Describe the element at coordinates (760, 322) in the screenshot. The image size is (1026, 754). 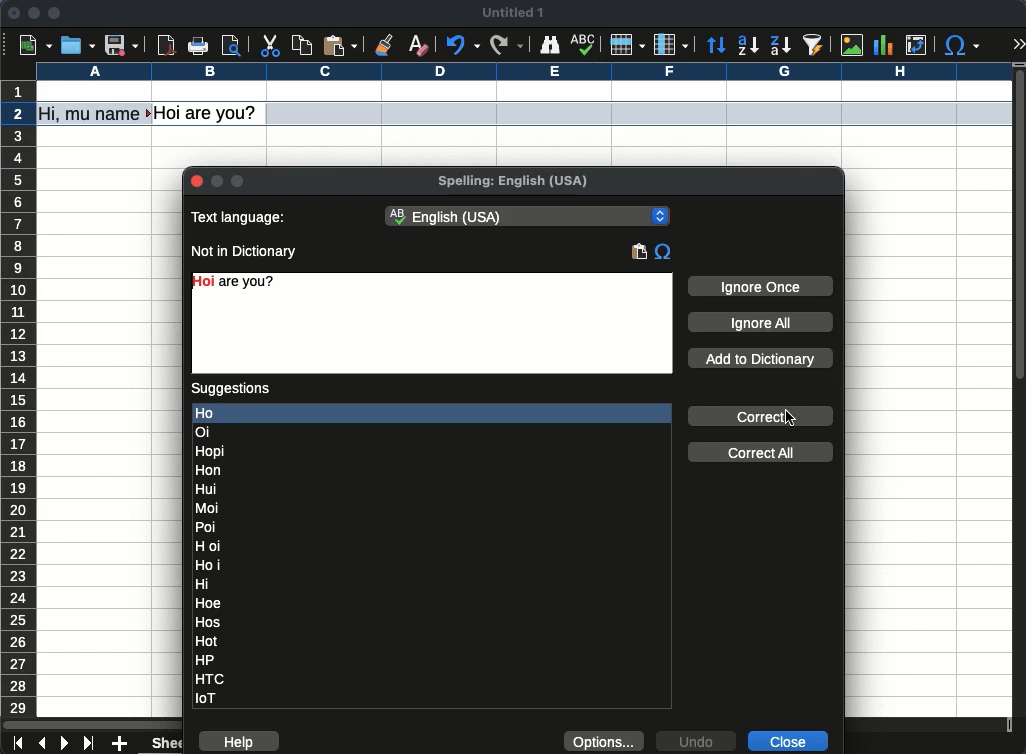
I see `ignore all` at that location.